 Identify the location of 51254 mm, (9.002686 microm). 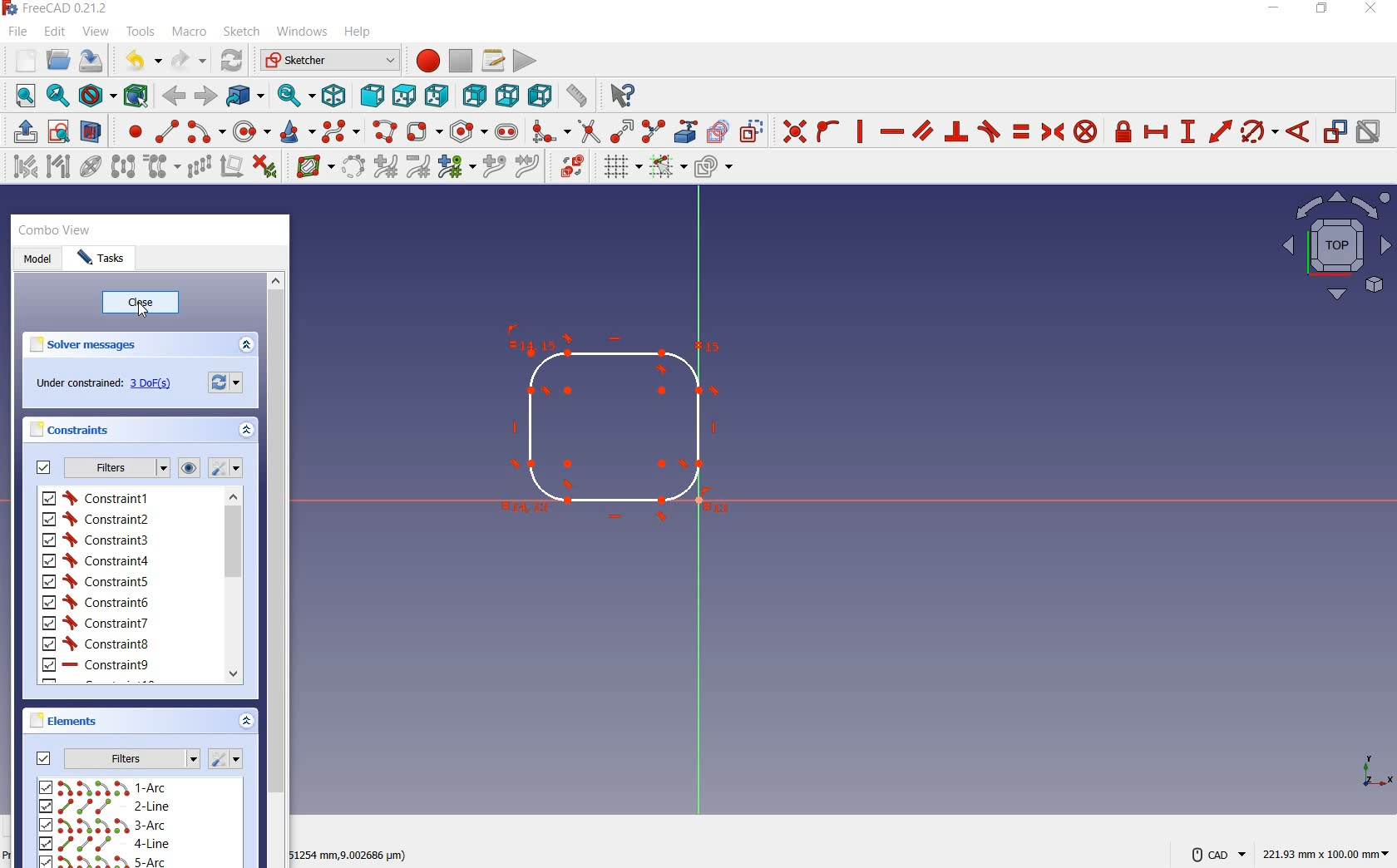
(349, 857).